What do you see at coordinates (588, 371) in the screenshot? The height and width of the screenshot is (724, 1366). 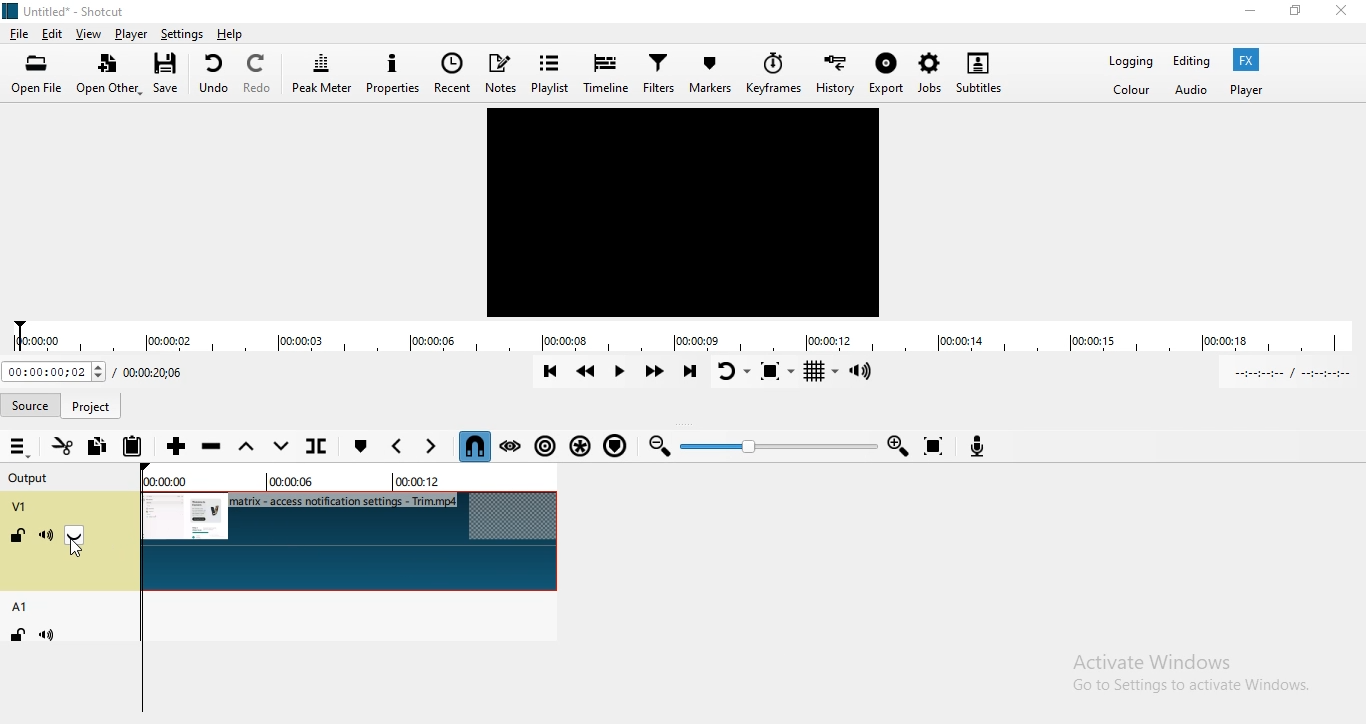 I see `Play quickly backwards` at bounding box center [588, 371].